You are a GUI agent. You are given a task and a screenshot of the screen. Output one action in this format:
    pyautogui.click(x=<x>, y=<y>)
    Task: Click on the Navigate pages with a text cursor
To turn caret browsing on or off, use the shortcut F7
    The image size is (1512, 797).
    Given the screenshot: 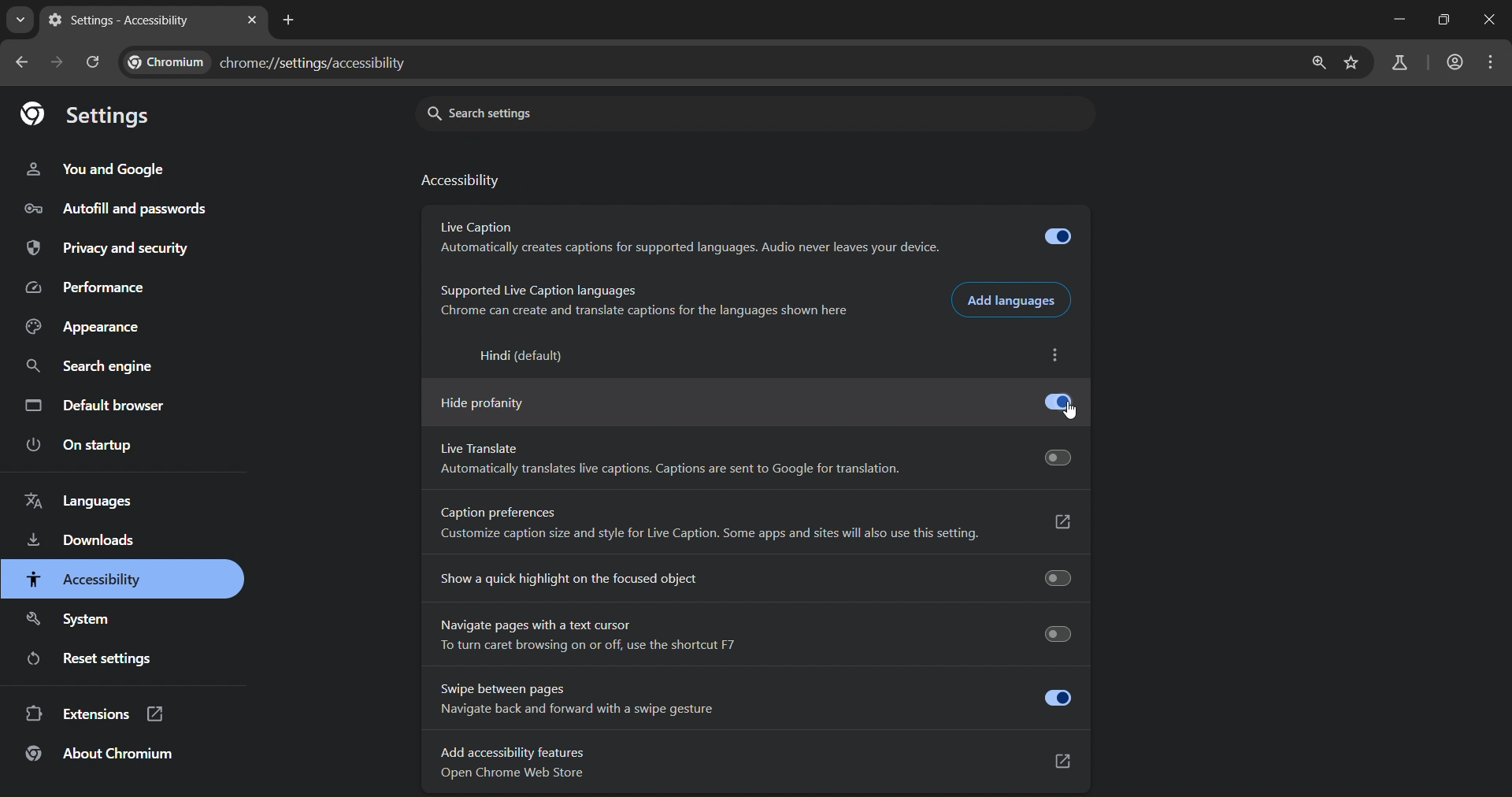 What is the action you would take?
    pyautogui.click(x=754, y=634)
    